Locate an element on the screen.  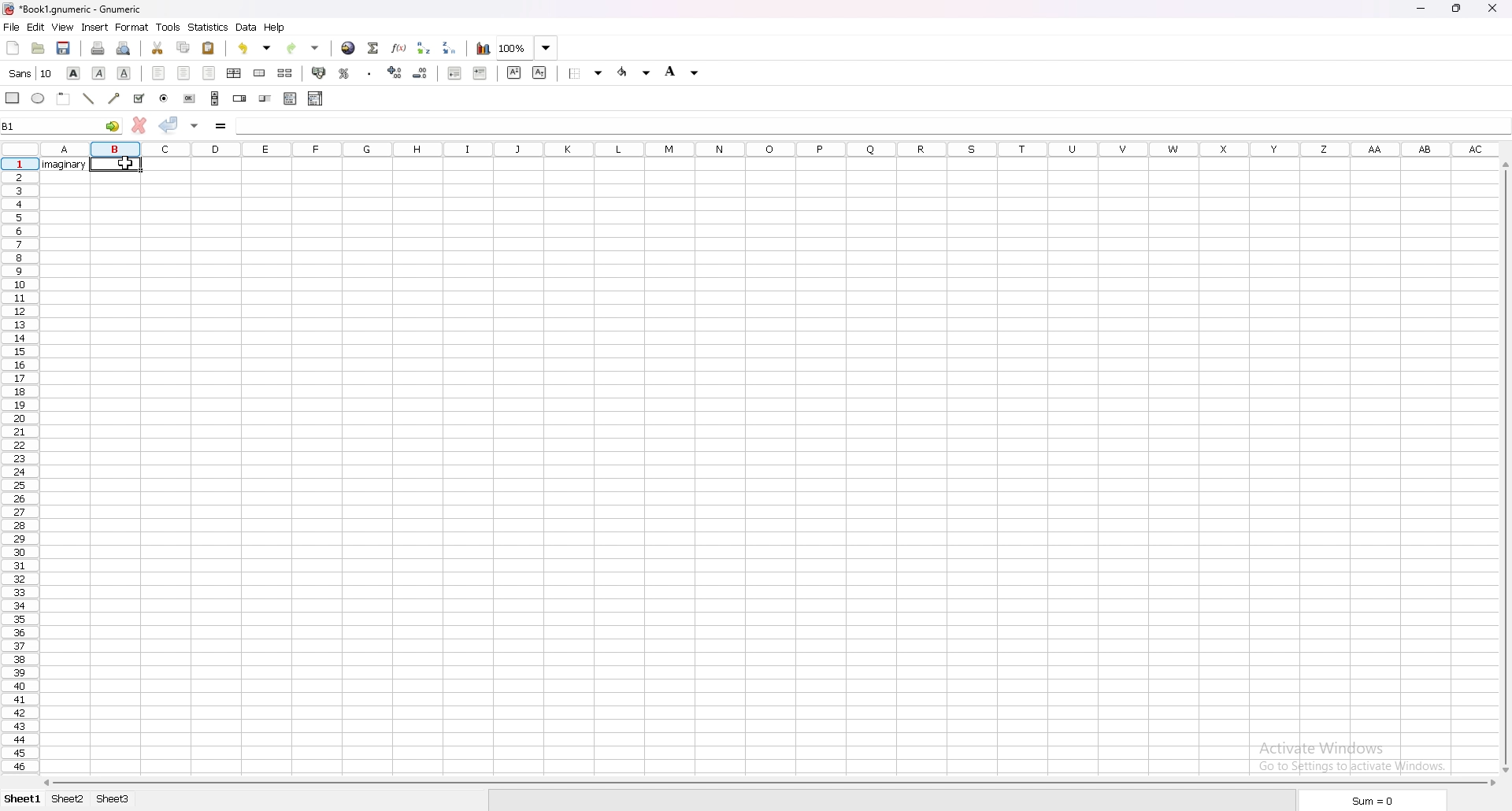
background is located at coordinates (684, 72).